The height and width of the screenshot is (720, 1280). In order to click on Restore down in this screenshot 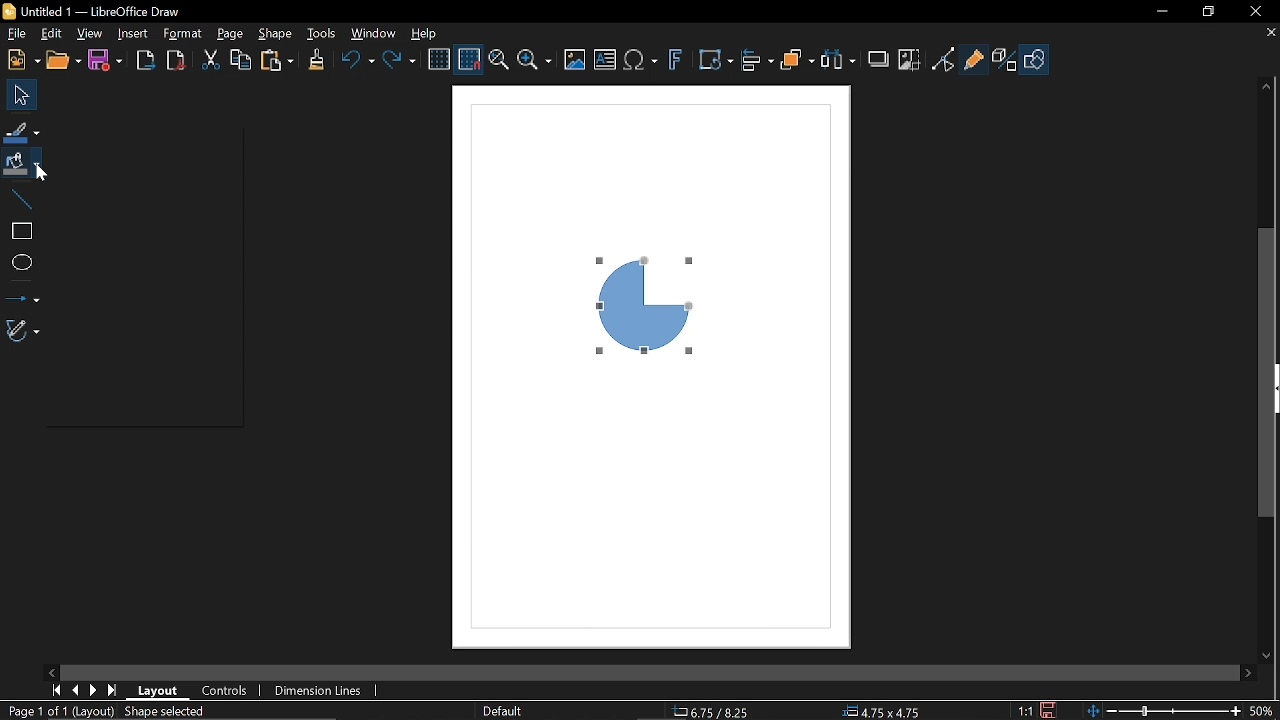, I will do `click(1209, 13)`.